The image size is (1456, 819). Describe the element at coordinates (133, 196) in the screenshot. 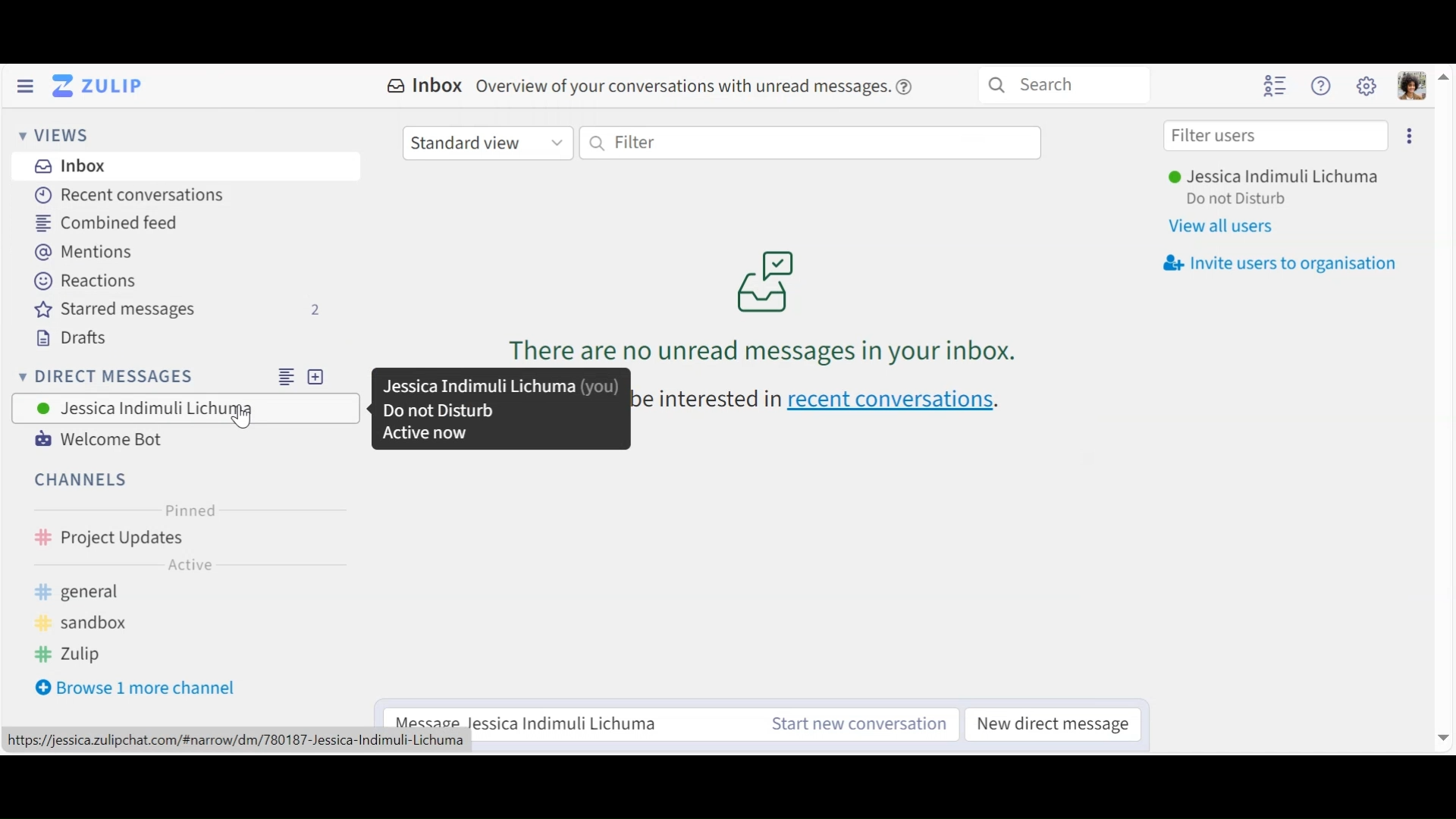

I see `Recent conversations` at that location.